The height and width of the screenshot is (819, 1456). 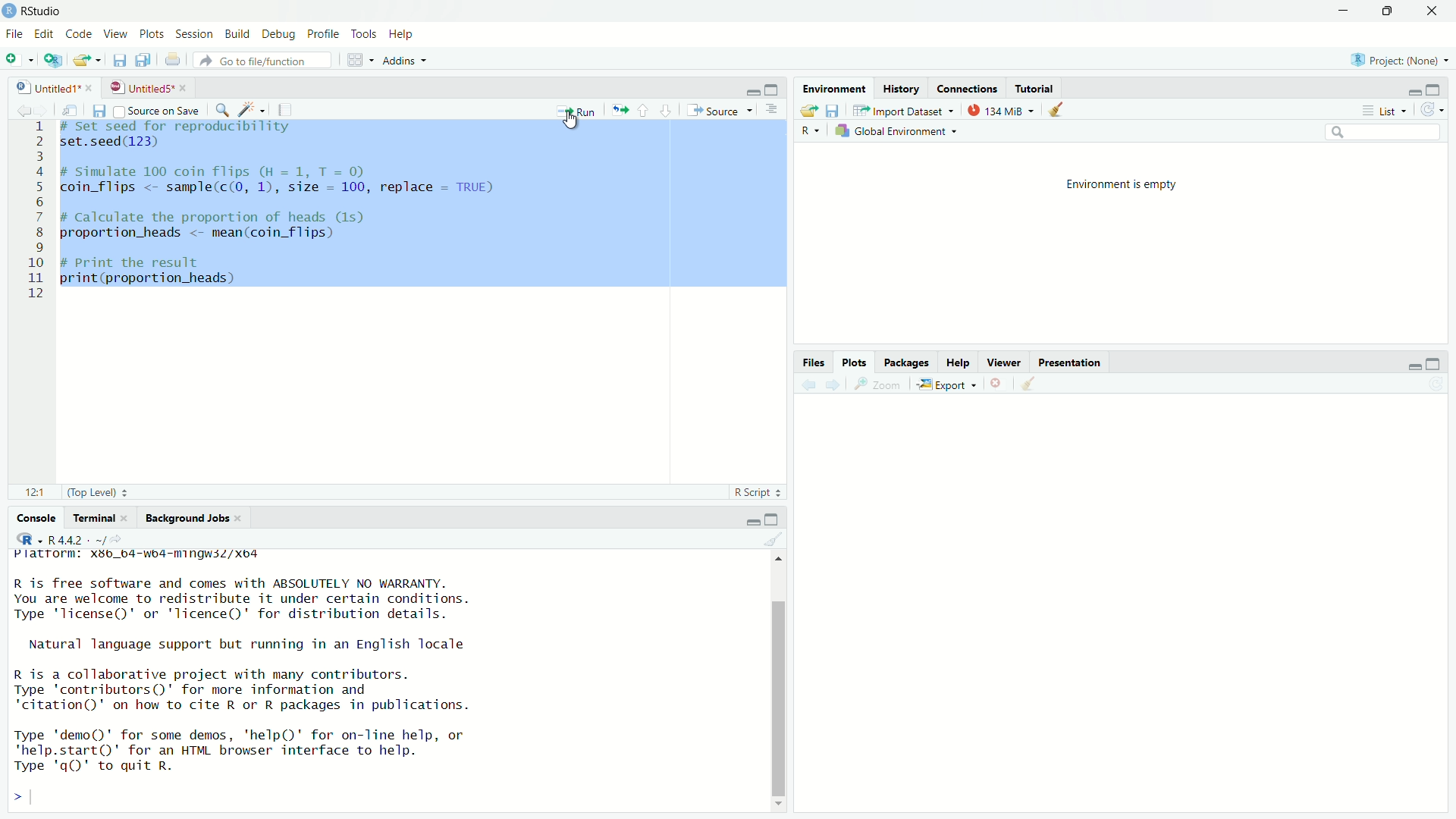 What do you see at coordinates (1001, 109) in the screenshot?
I see `134 MiB` at bounding box center [1001, 109].